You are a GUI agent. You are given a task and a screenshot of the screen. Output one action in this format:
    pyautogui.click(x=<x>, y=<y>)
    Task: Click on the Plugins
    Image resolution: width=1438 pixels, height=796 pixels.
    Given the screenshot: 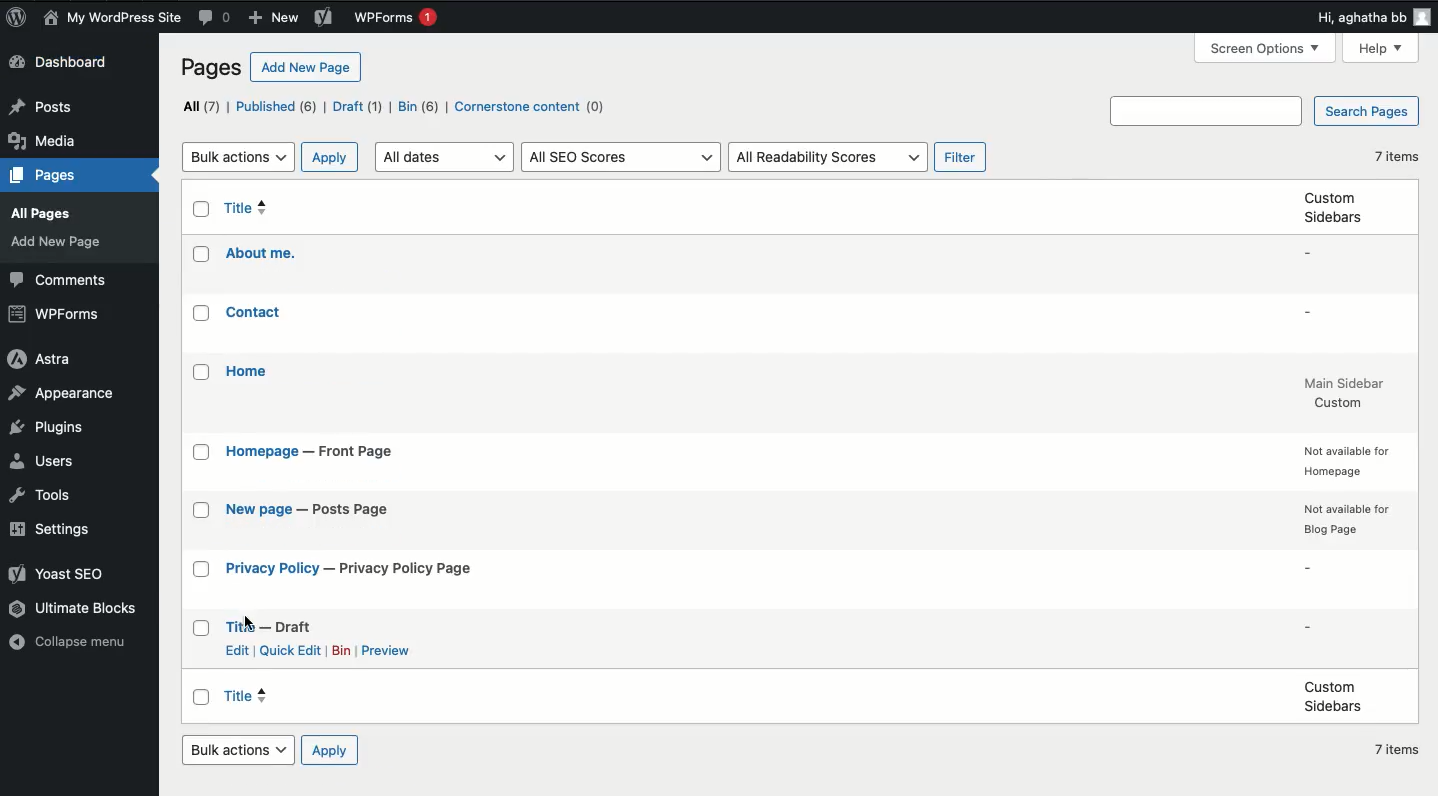 What is the action you would take?
    pyautogui.click(x=49, y=429)
    